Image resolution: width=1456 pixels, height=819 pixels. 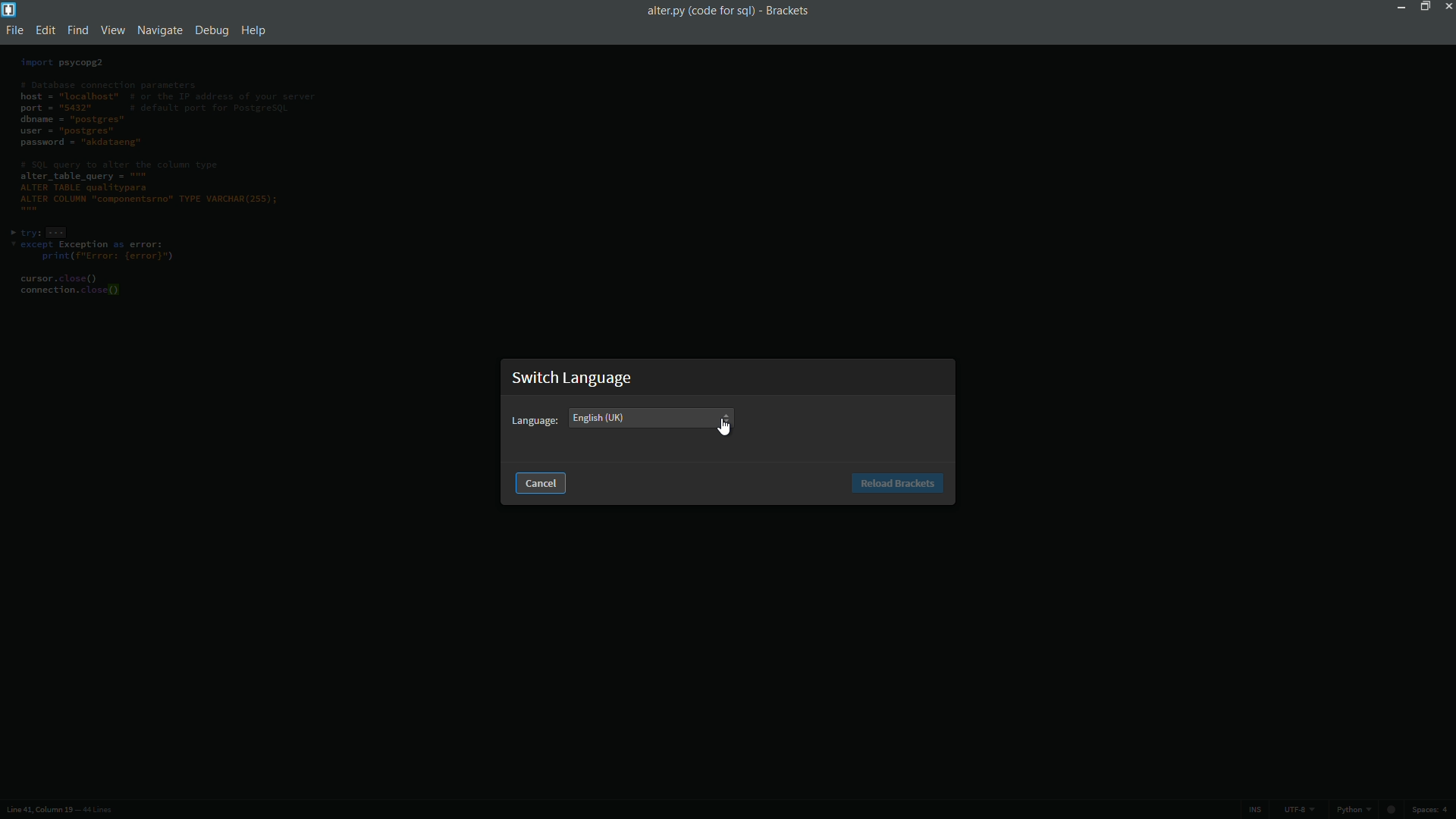 I want to click on help menu, so click(x=253, y=30).